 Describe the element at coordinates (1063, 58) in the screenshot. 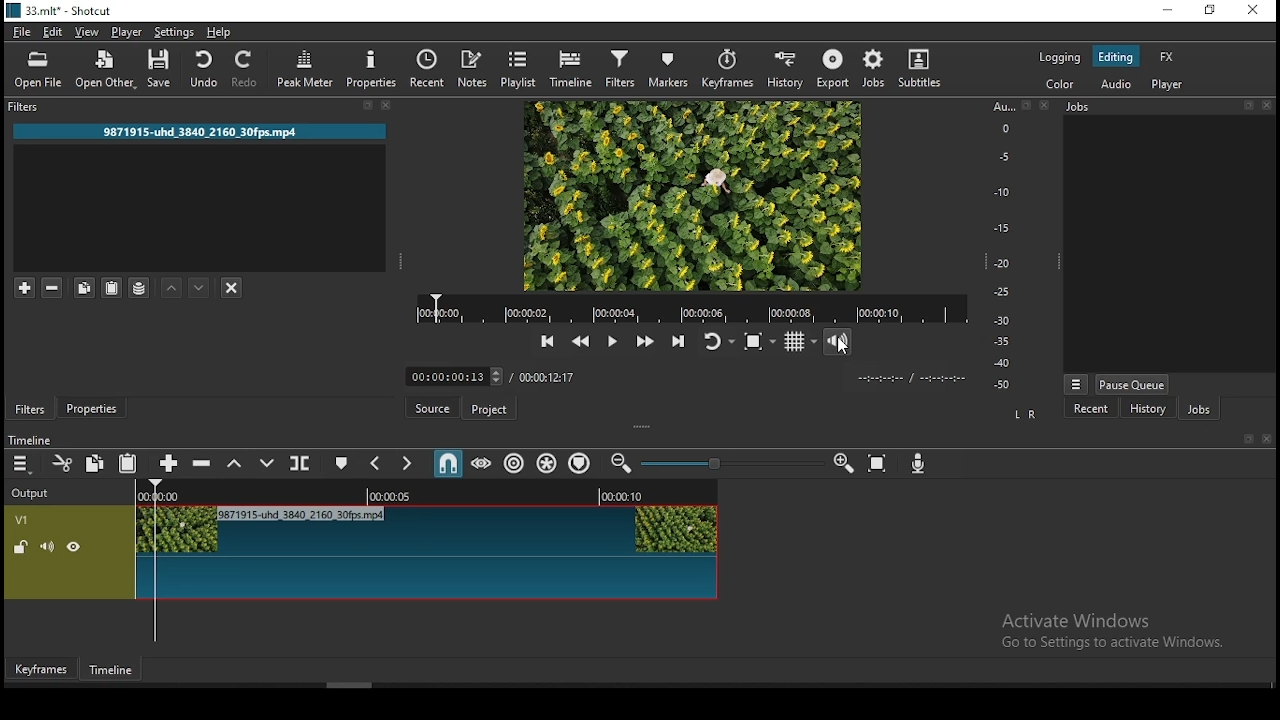

I see `logging` at that location.